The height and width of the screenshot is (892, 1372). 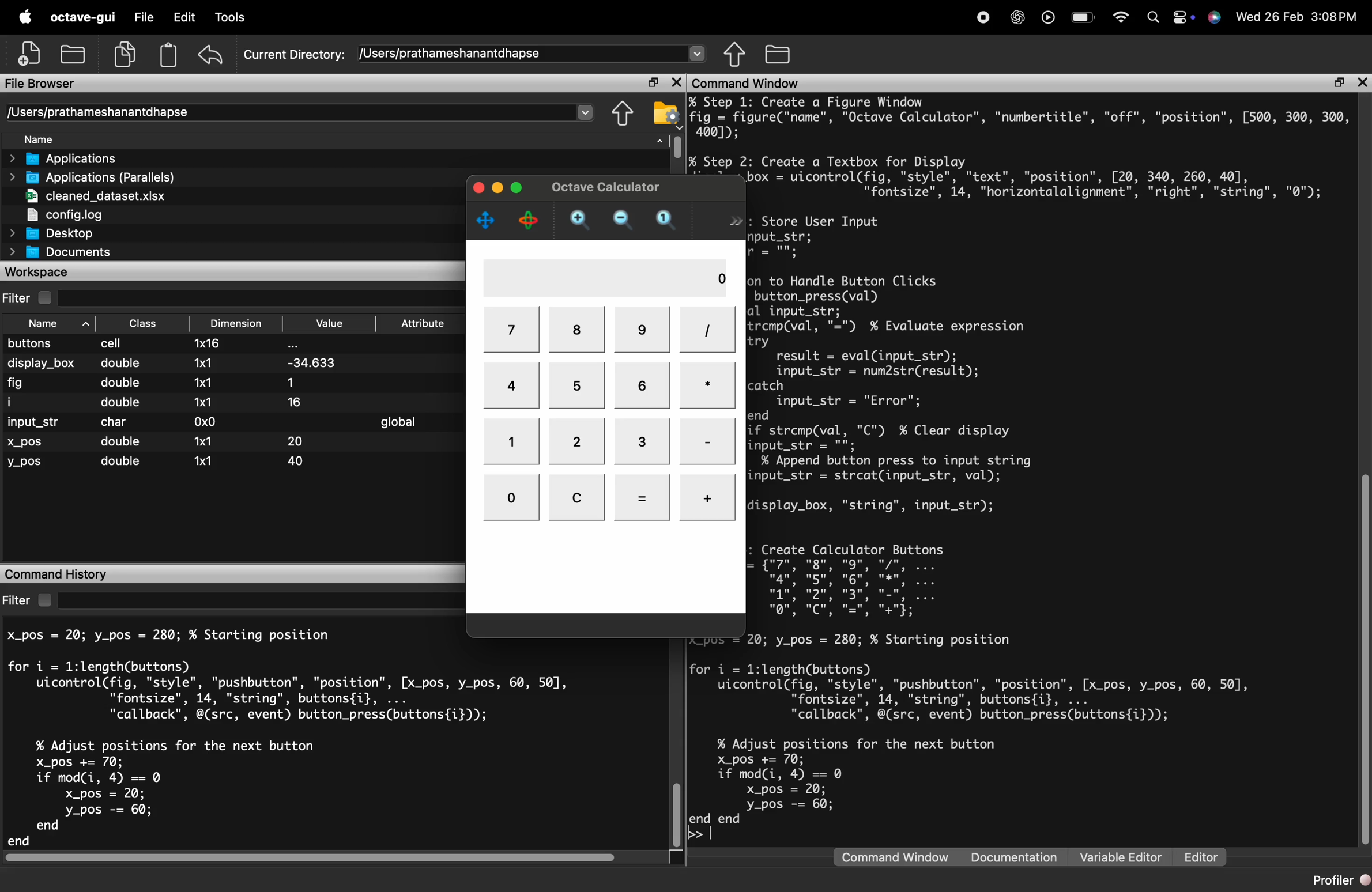 What do you see at coordinates (673, 147) in the screenshot?
I see `vertical scrollbar` at bounding box center [673, 147].